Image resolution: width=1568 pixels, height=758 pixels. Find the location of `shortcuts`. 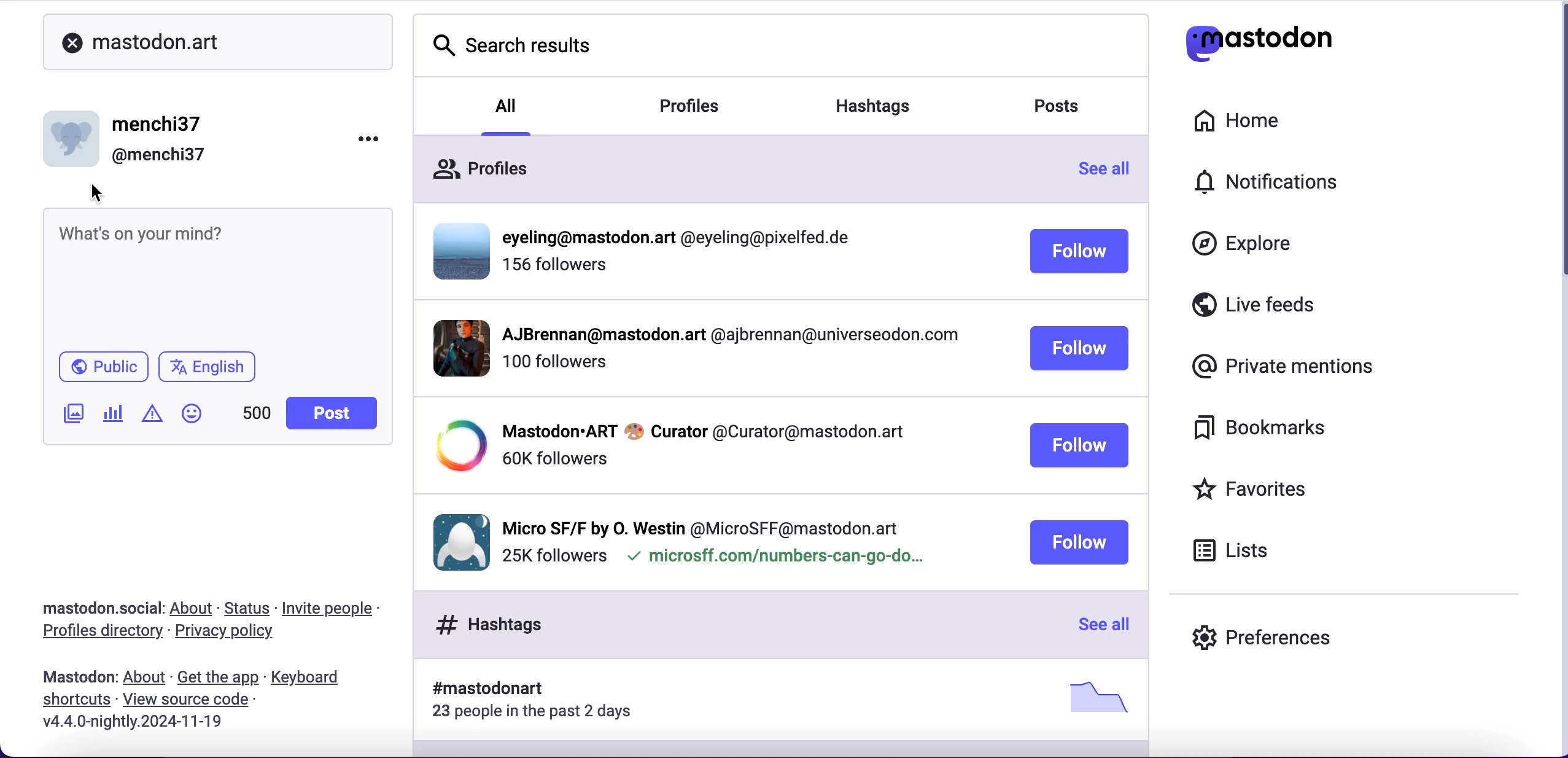

shortcuts is located at coordinates (77, 701).